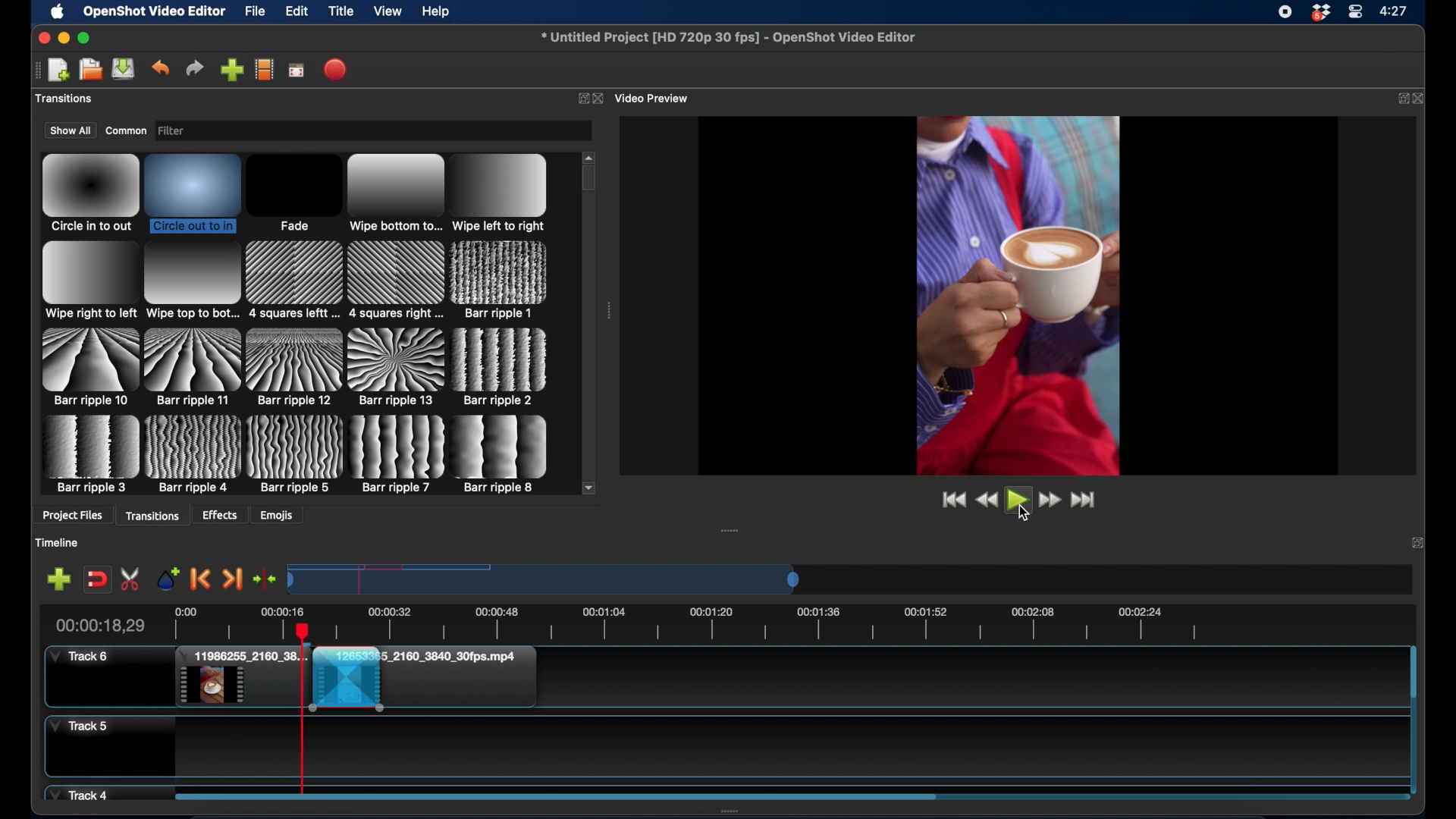  Describe the element at coordinates (221, 515) in the screenshot. I see `effects` at that location.